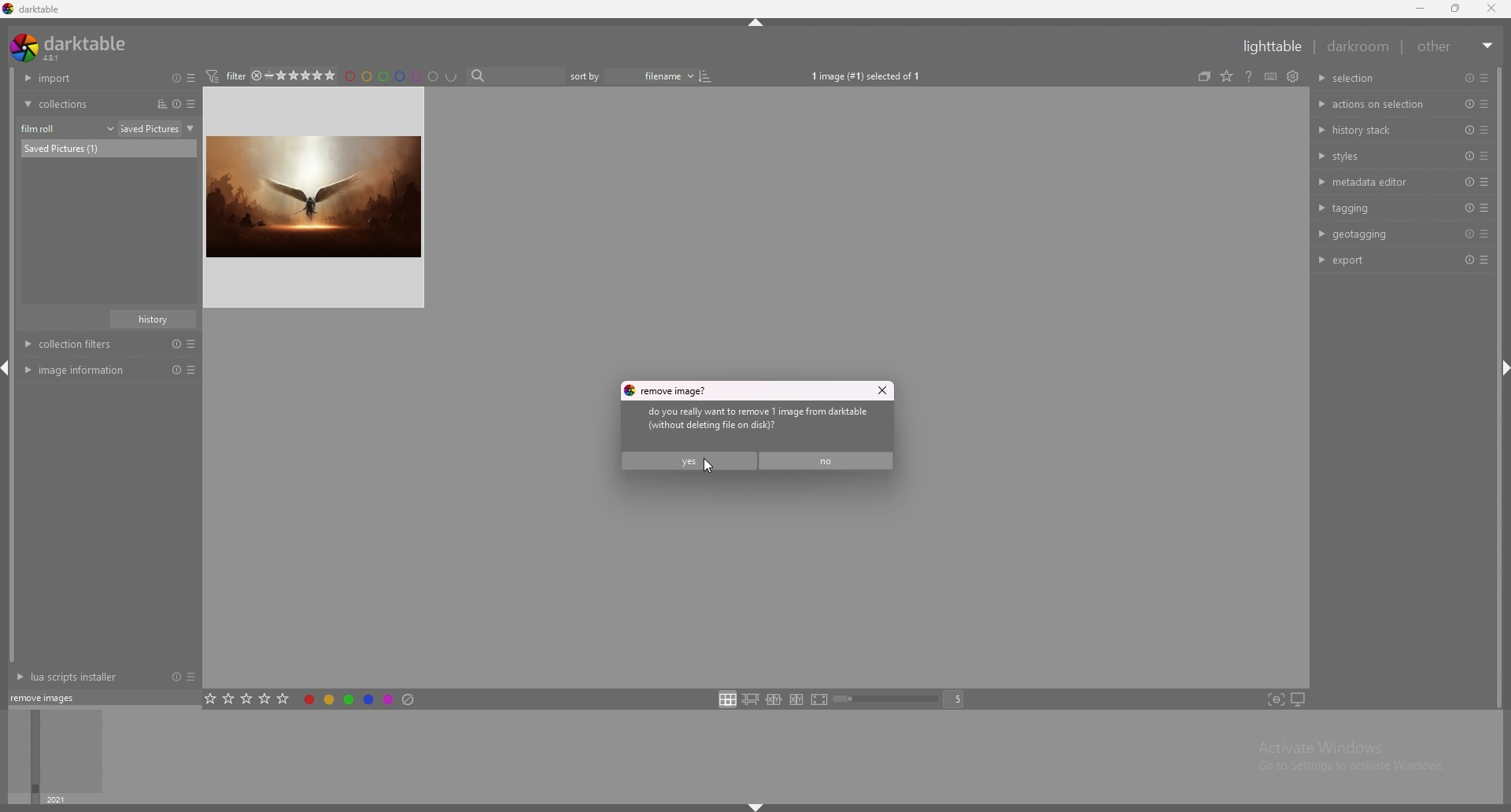  I want to click on photo name, so click(109, 148).